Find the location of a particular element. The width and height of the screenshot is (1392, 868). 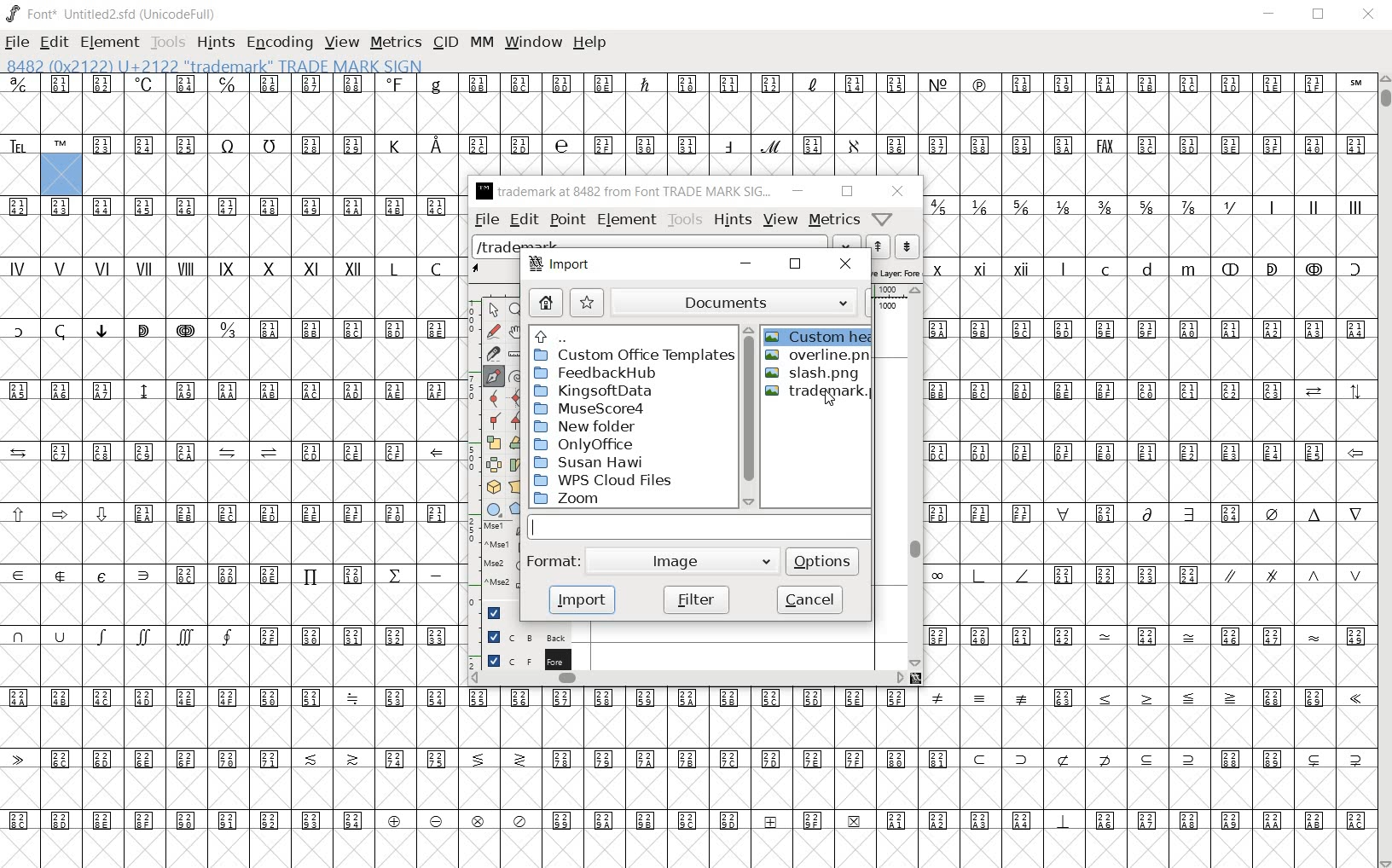

Help/Window is located at coordinates (883, 217).